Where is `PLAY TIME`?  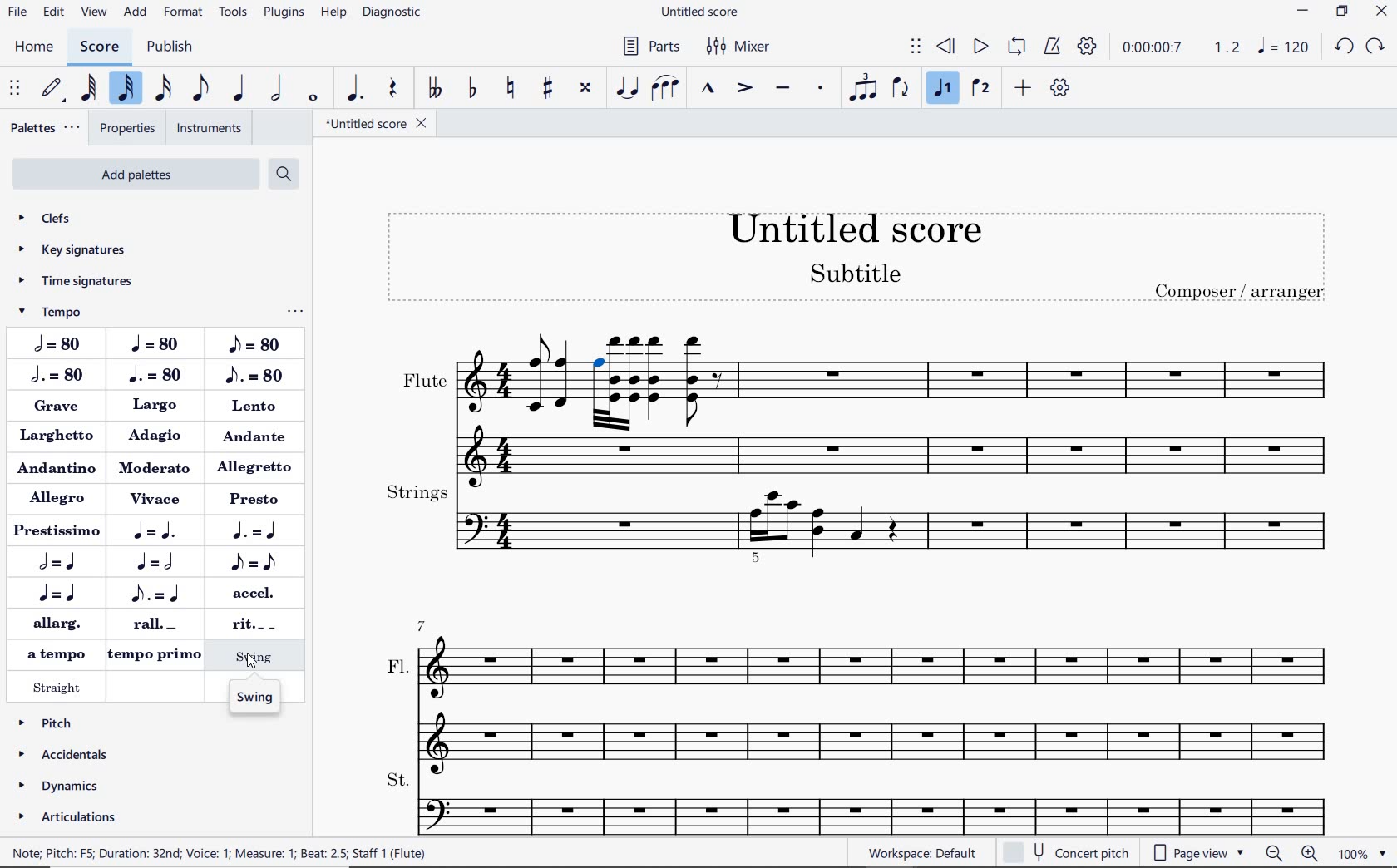 PLAY TIME is located at coordinates (1180, 47).